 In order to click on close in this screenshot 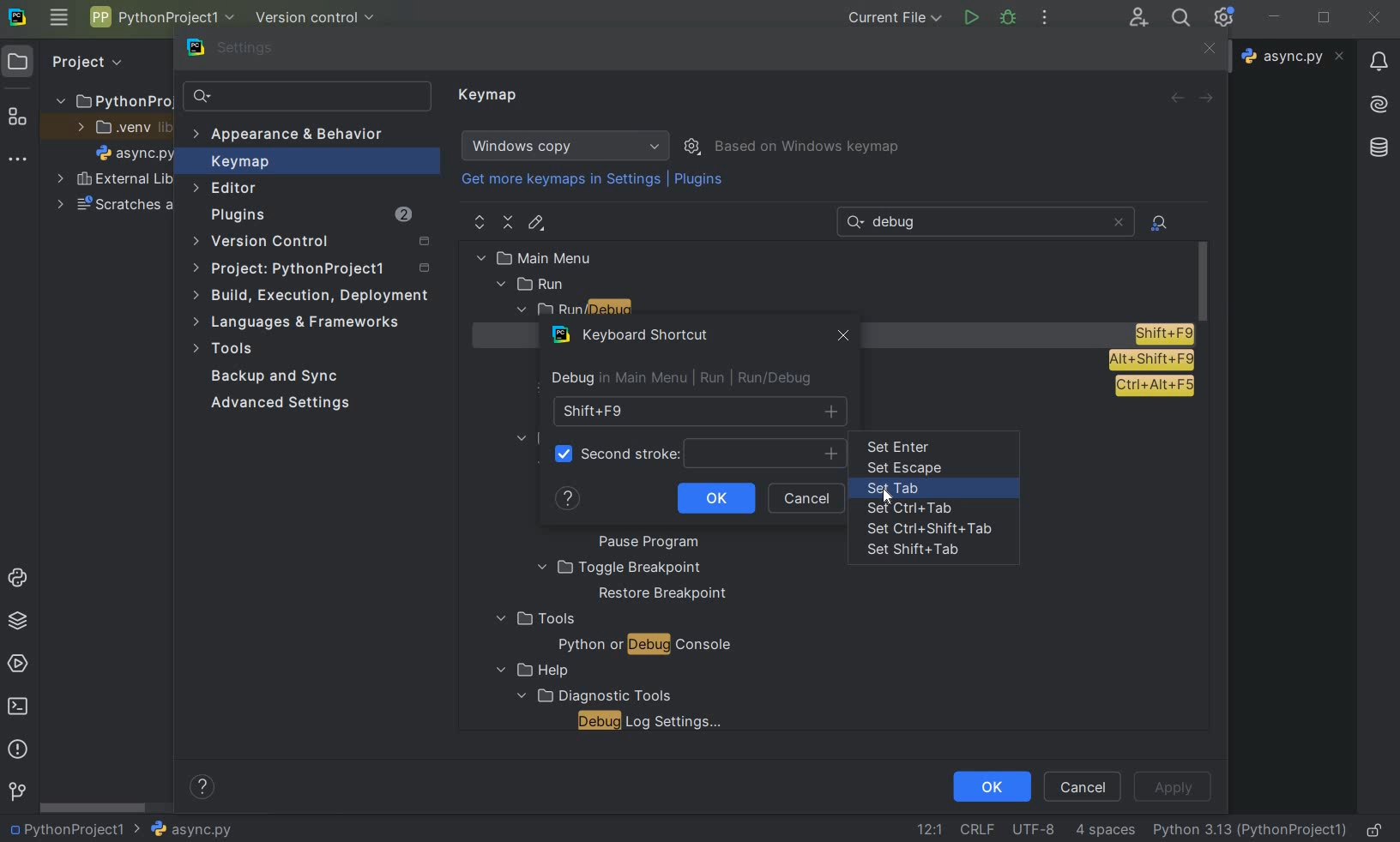, I will do `click(1374, 18)`.